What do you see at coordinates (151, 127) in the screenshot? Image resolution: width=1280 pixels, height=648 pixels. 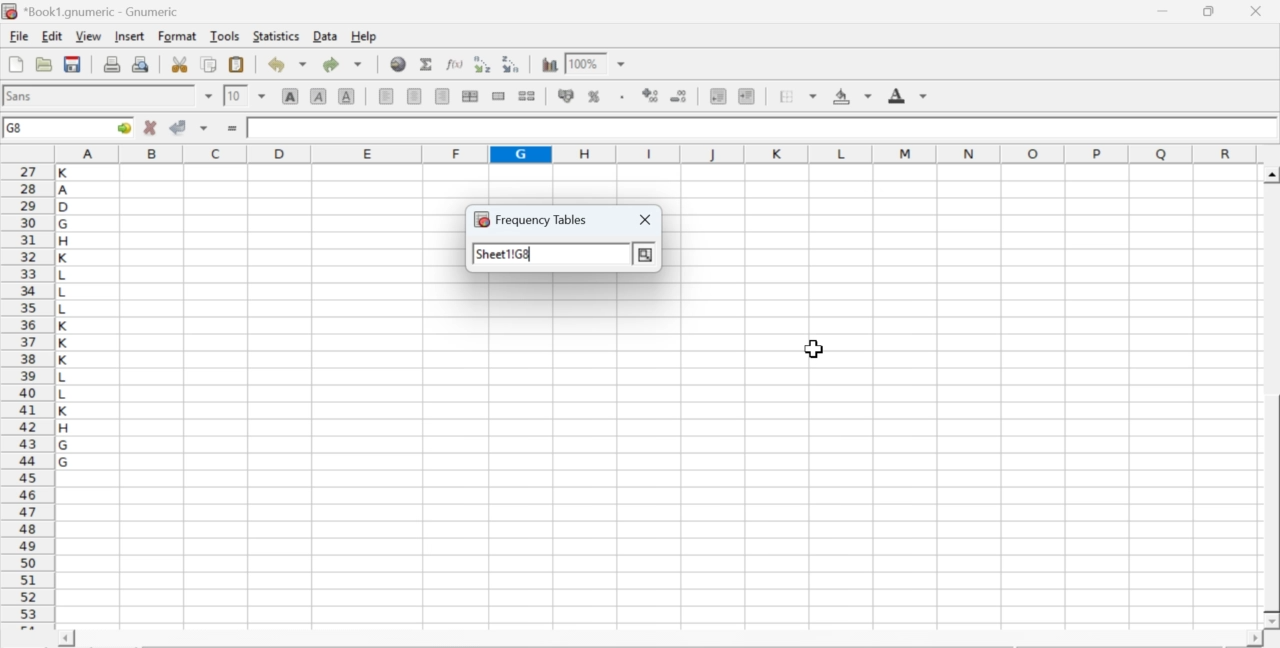 I see `cancel changes` at bounding box center [151, 127].